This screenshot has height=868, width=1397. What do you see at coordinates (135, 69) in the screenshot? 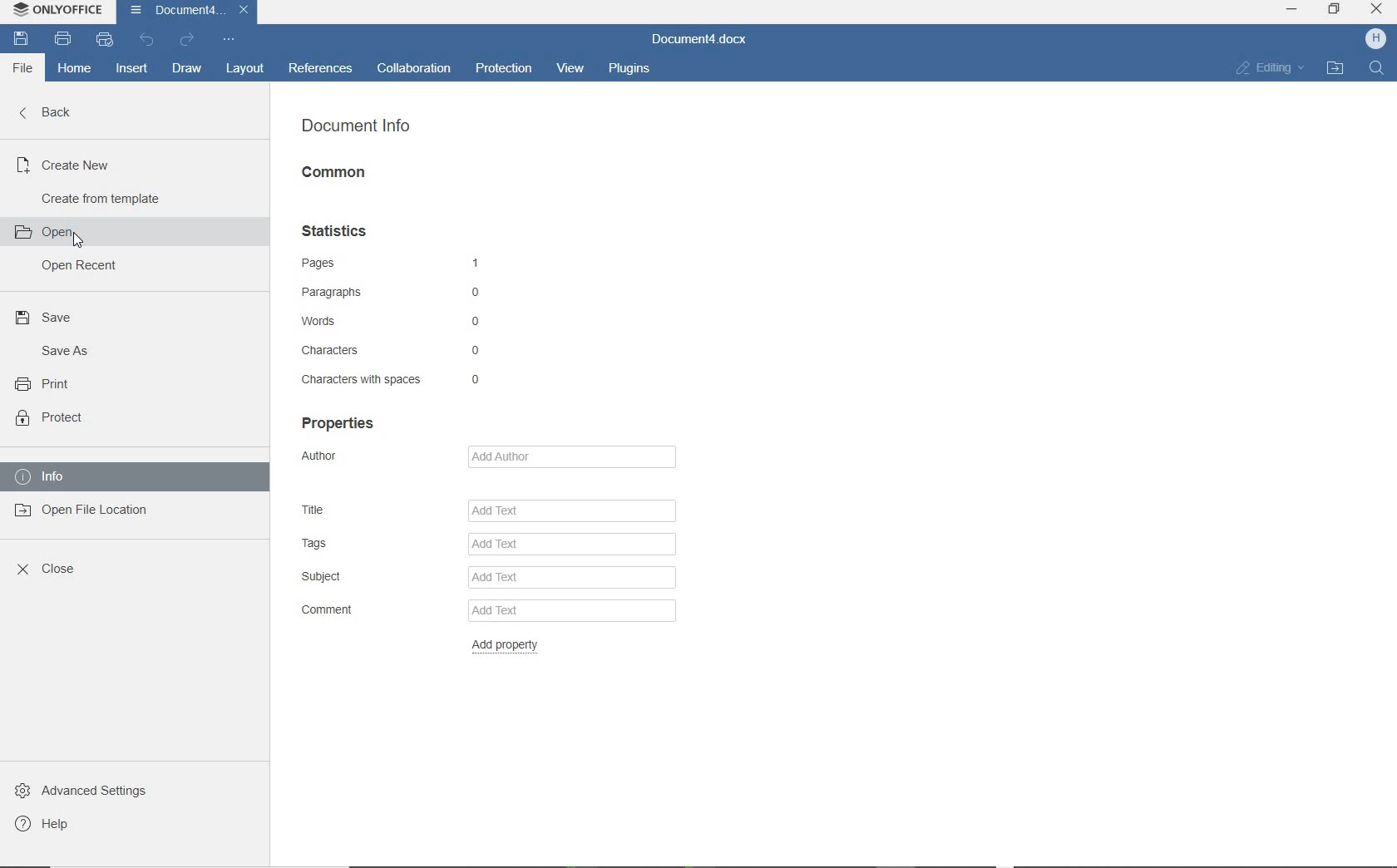
I see `insert` at bounding box center [135, 69].